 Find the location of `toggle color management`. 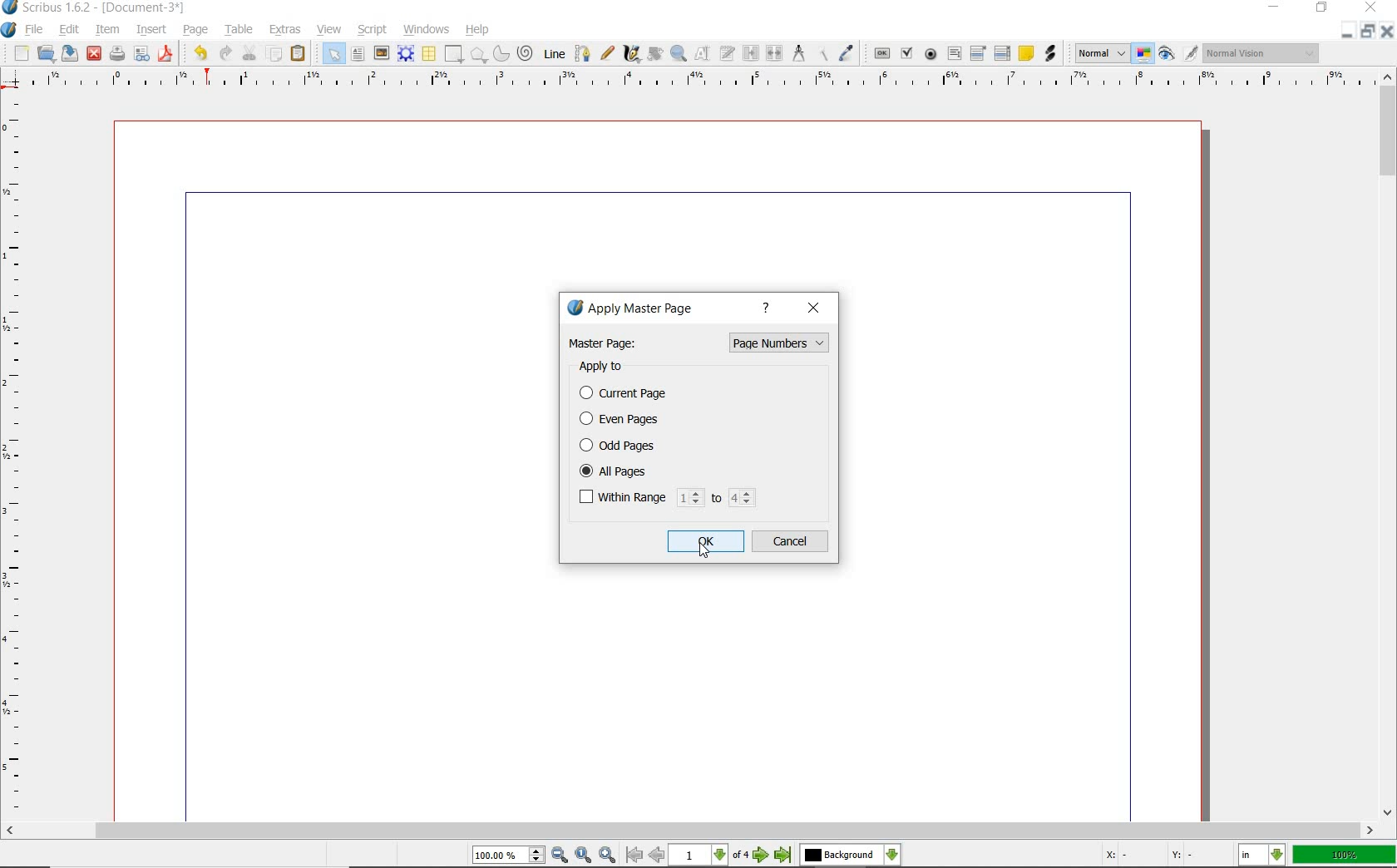

toggle color management is located at coordinates (1143, 54).